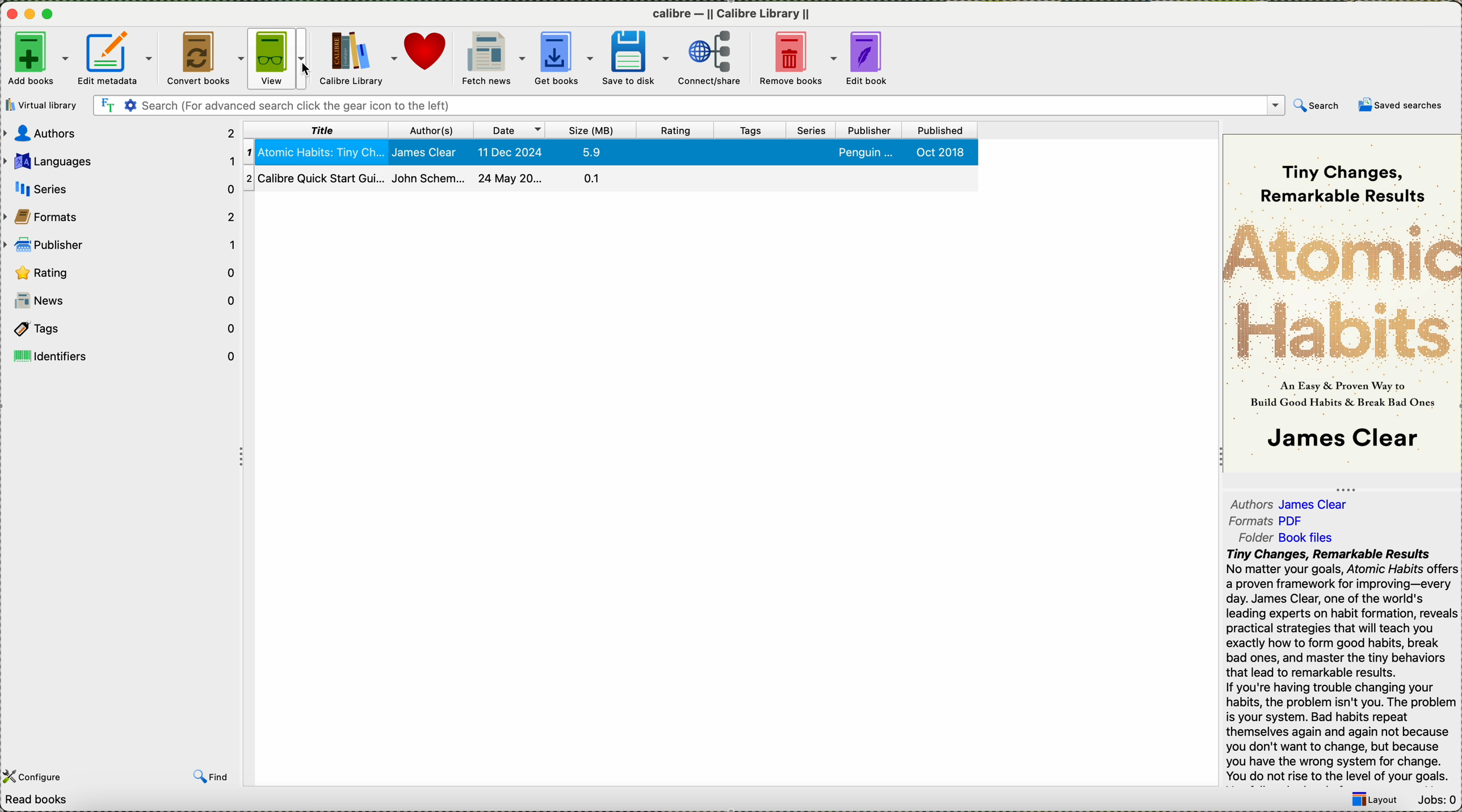  What do you see at coordinates (125, 330) in the screenshot?
I see `tags` at bounding box center [125, 330].